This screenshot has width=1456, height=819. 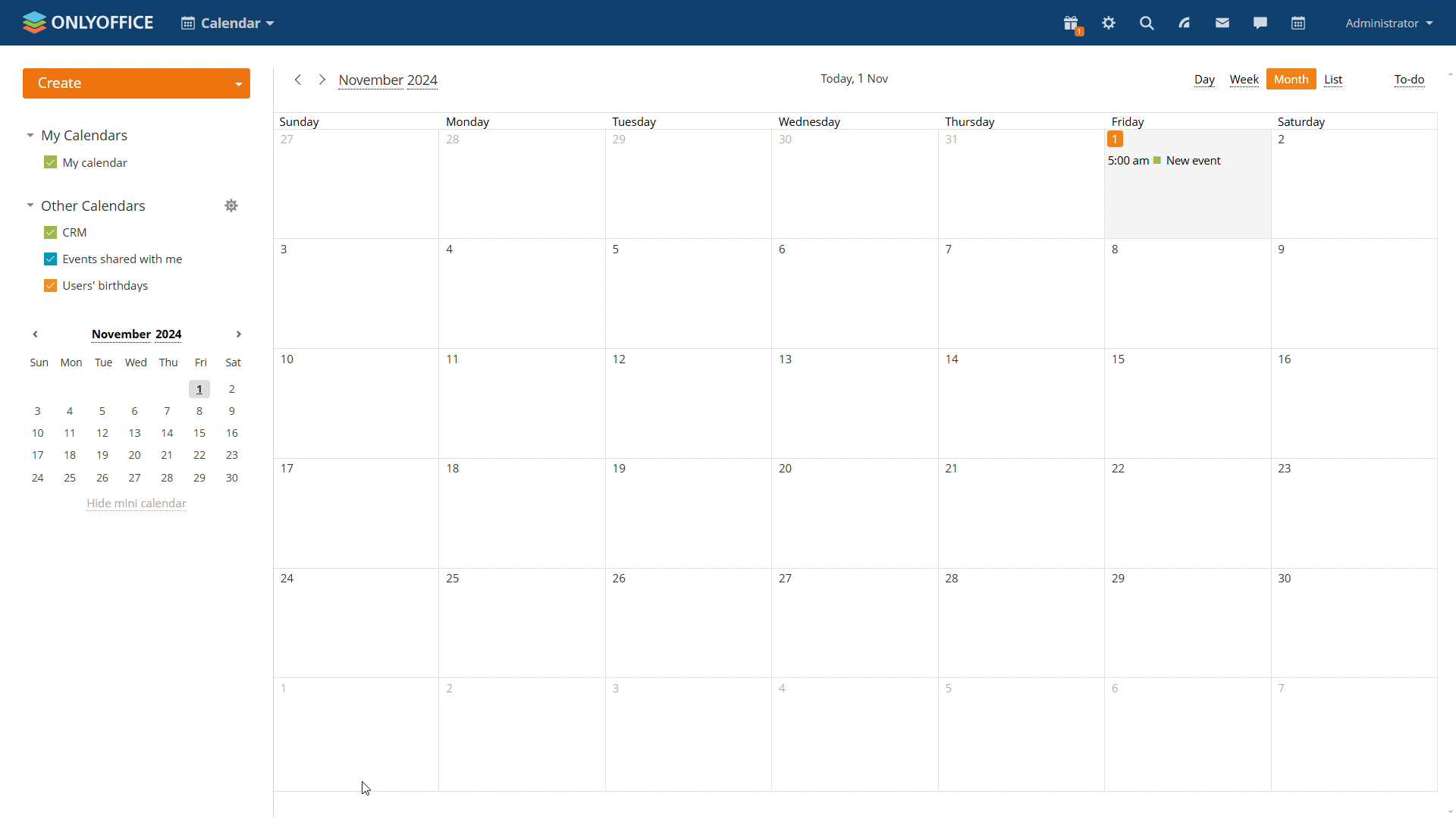 What do you see at coordinates (1072, 26) in the screenshot?
I see `present` at bounding box center [1072, 26].